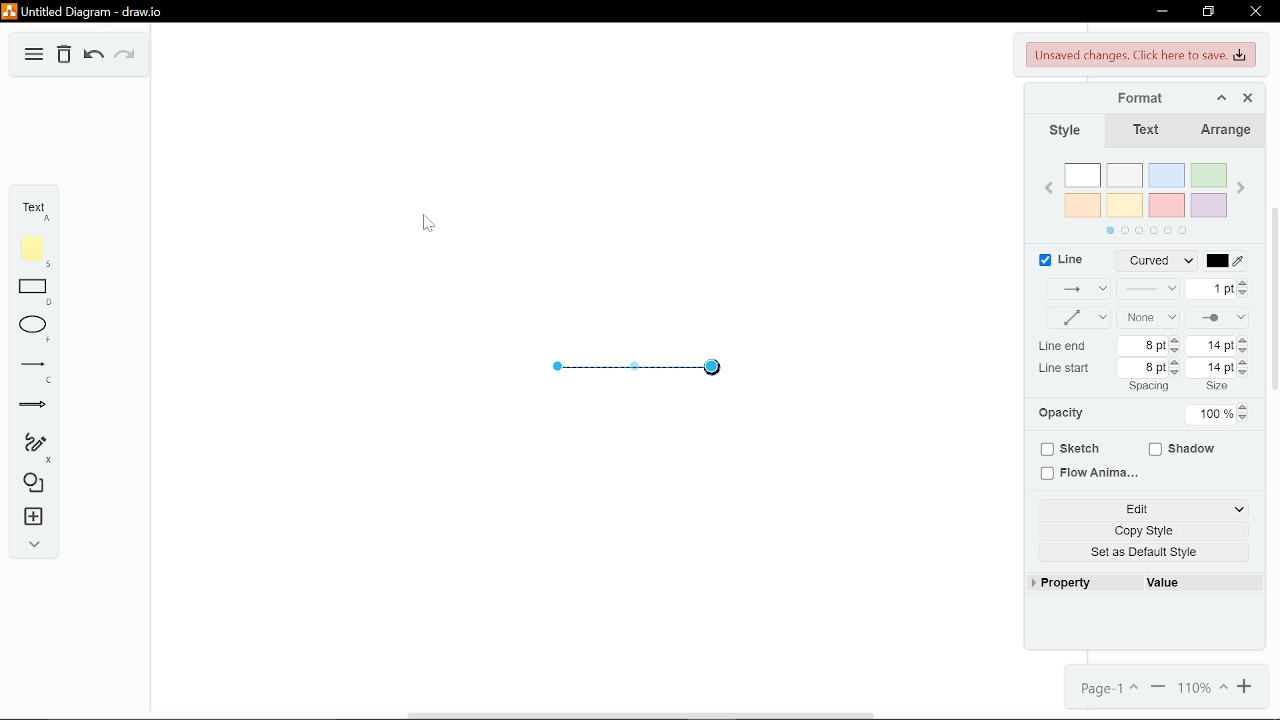 The width and height of the screenshot is (1280, 720). What do you see at coordinates (1063, 346) in the screenshot?
I see `line end` at bounding box center [1063, 346].